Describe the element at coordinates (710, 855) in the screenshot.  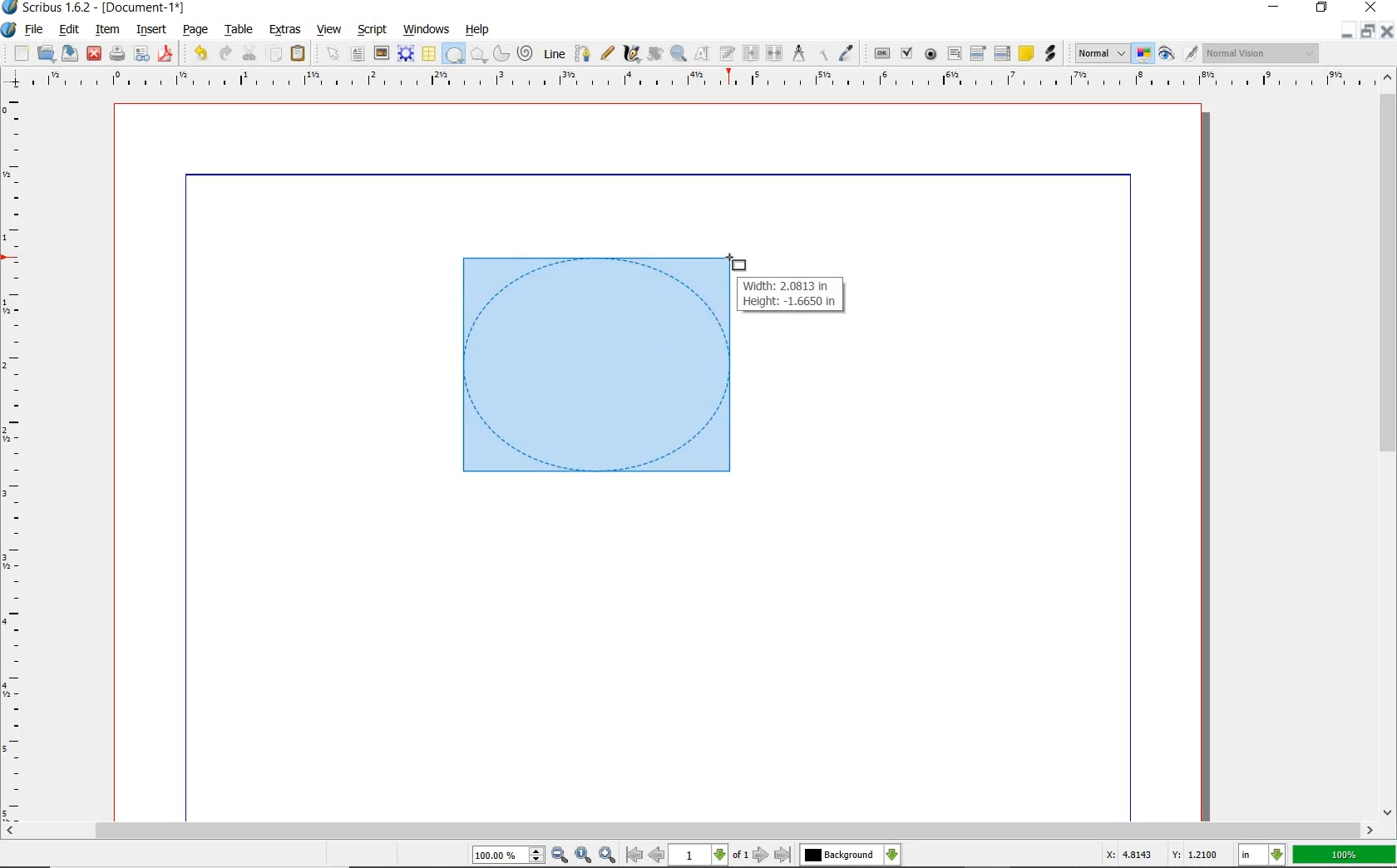
I see `1 of 1` at that location.